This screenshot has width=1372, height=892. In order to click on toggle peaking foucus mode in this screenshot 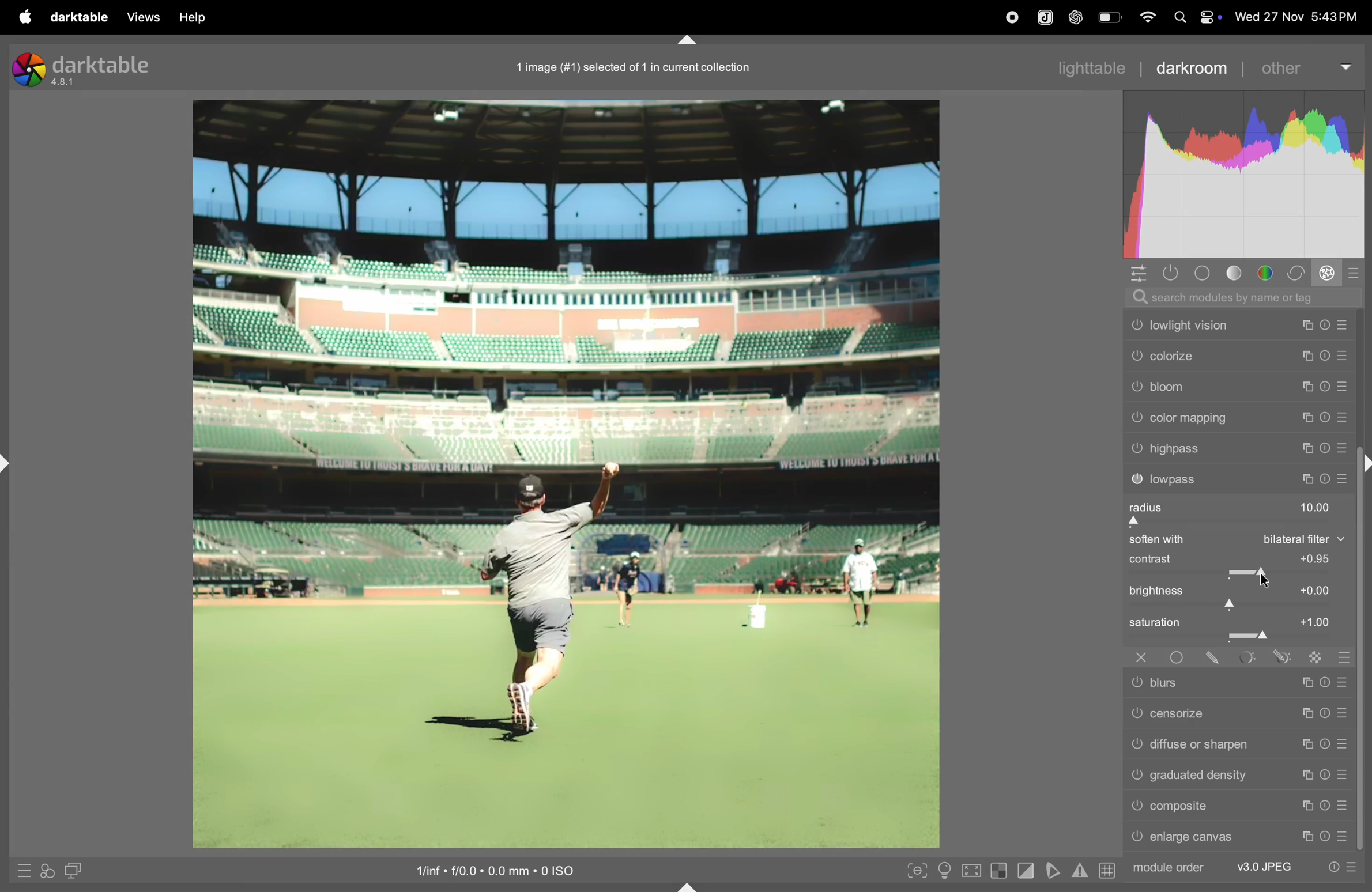, I will do `click(916, 873)`.